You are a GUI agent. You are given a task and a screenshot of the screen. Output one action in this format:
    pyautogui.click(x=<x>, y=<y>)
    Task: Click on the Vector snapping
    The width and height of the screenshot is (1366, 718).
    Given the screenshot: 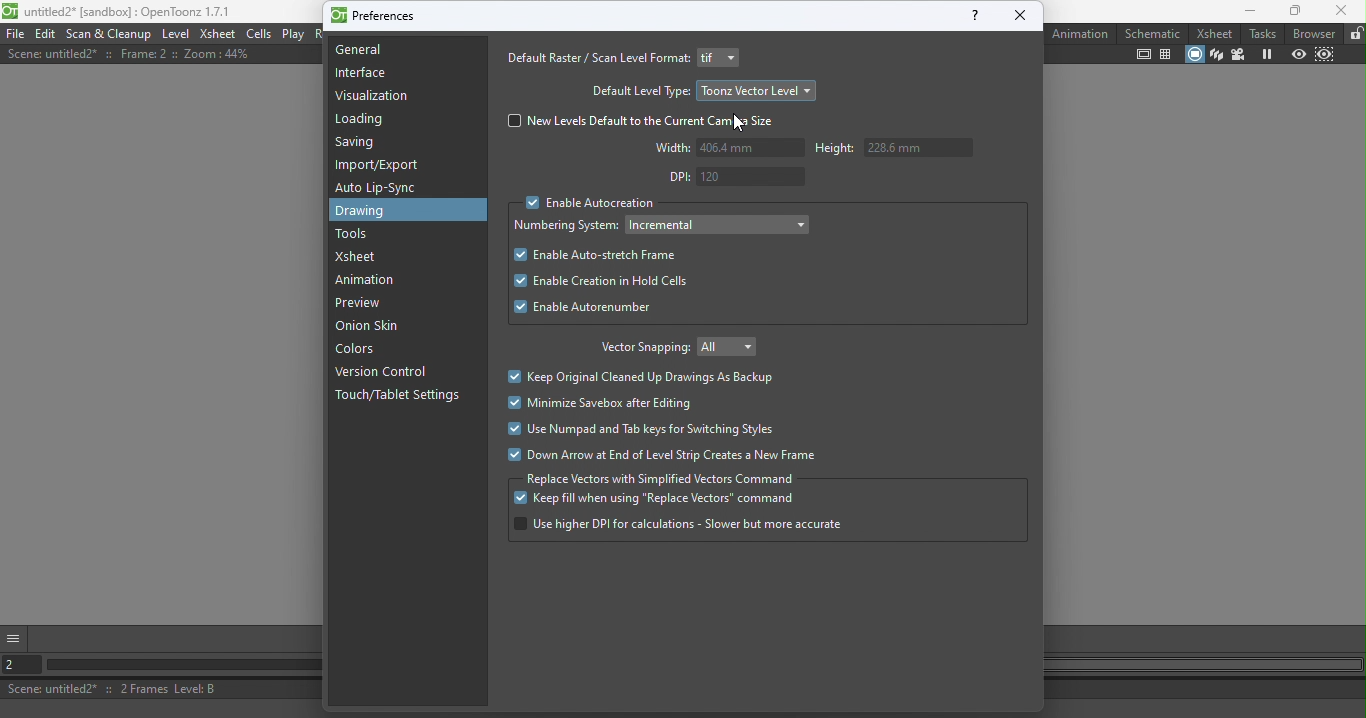 What is the action you would take?
    pyautogui.click(x=641, y=349)
    